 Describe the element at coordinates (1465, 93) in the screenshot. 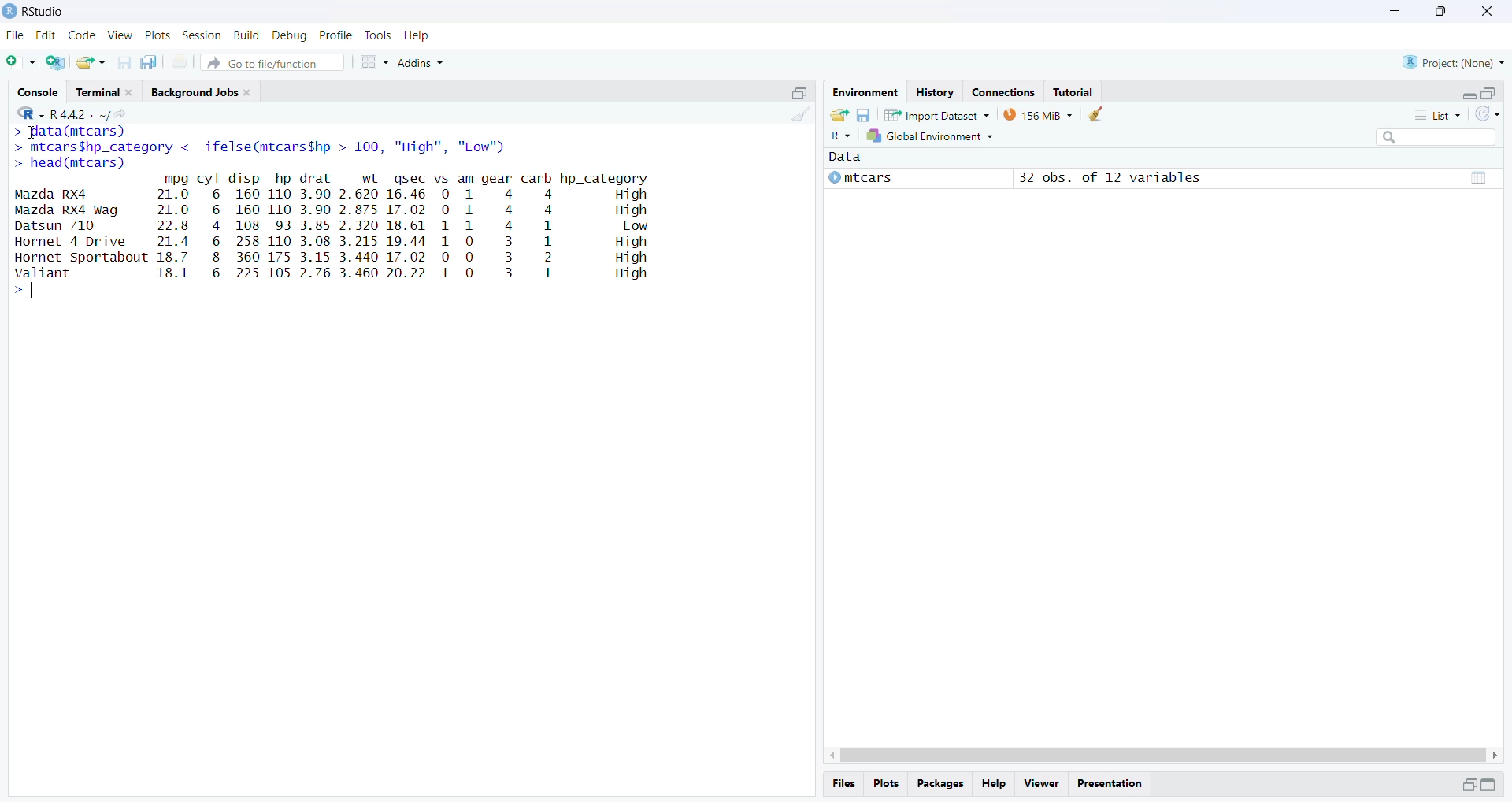

I see `Minimize` at that location.